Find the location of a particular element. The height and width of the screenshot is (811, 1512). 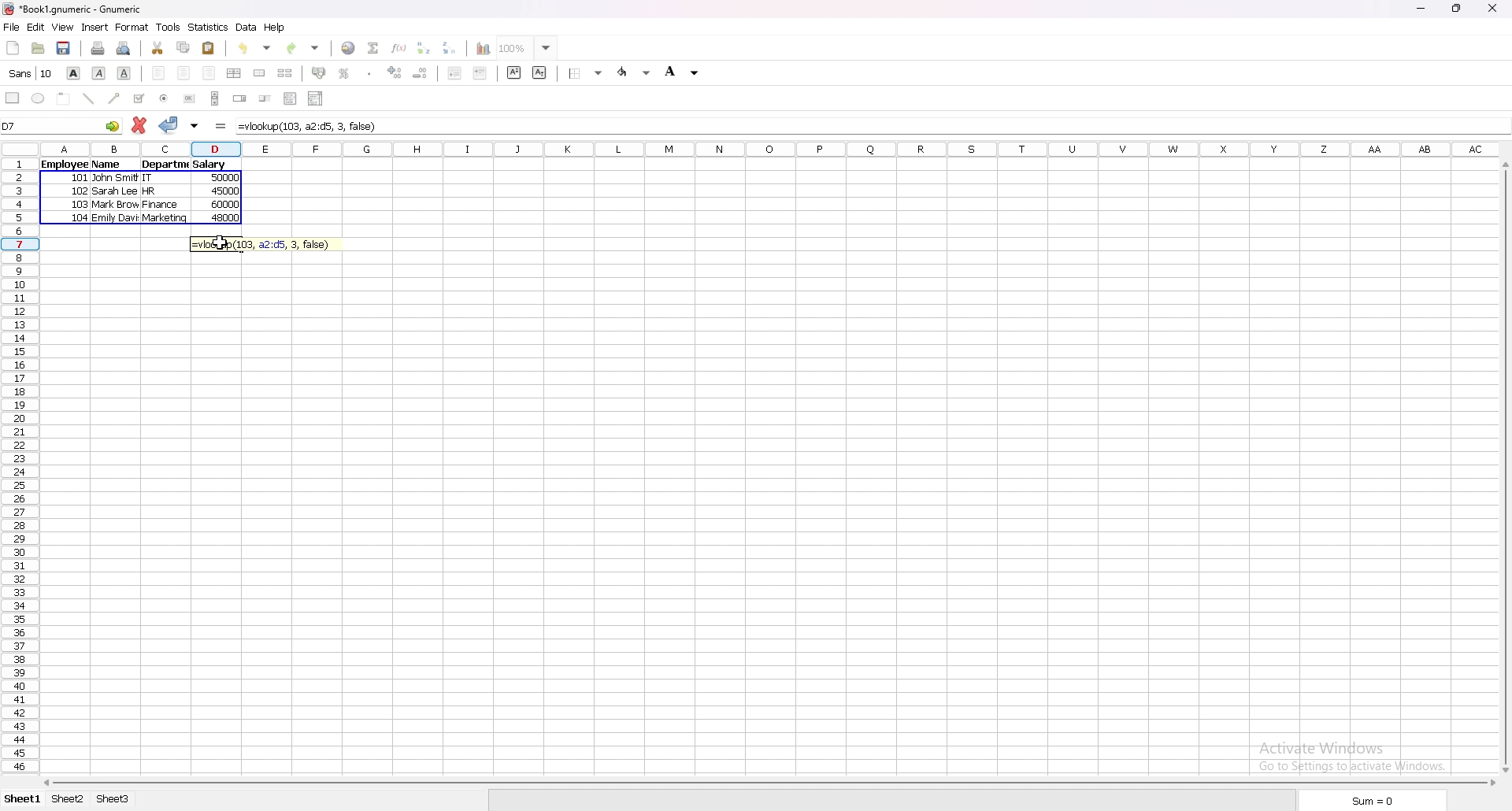

button is located at coordinates (191, 98).